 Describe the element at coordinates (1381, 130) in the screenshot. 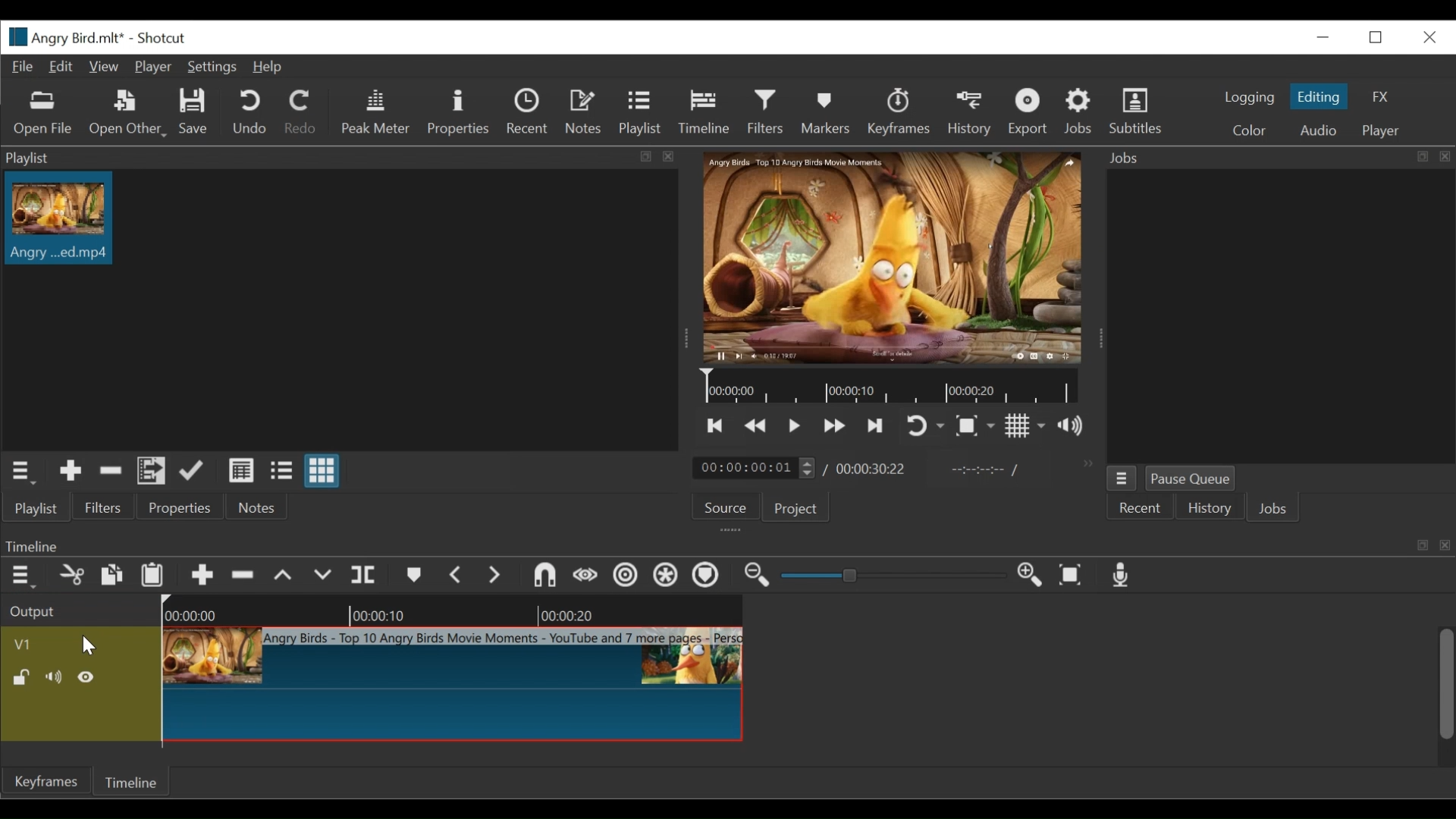

I see `player` at that location.